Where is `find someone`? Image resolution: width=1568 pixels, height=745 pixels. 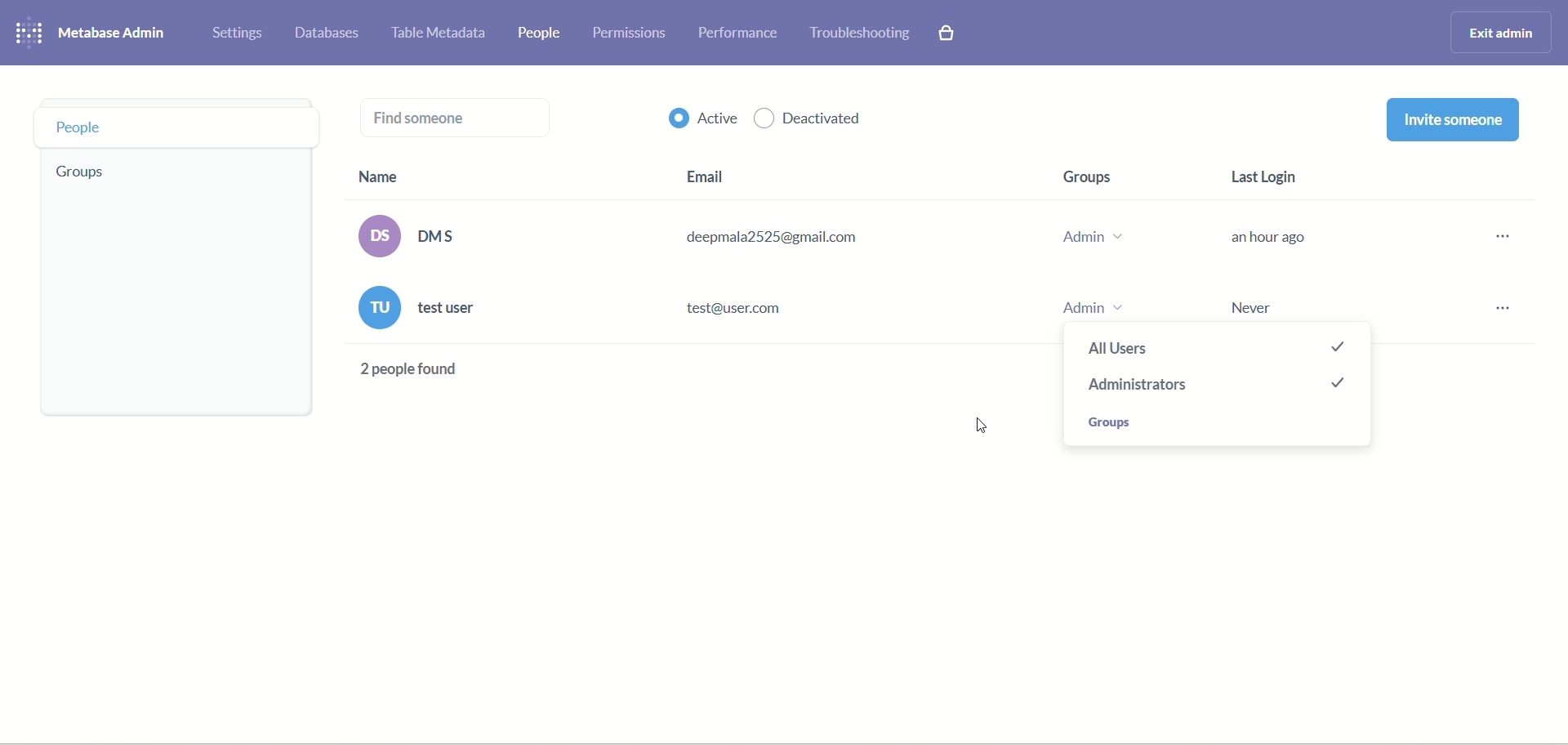 find someone is located at coordinates (454, 121).